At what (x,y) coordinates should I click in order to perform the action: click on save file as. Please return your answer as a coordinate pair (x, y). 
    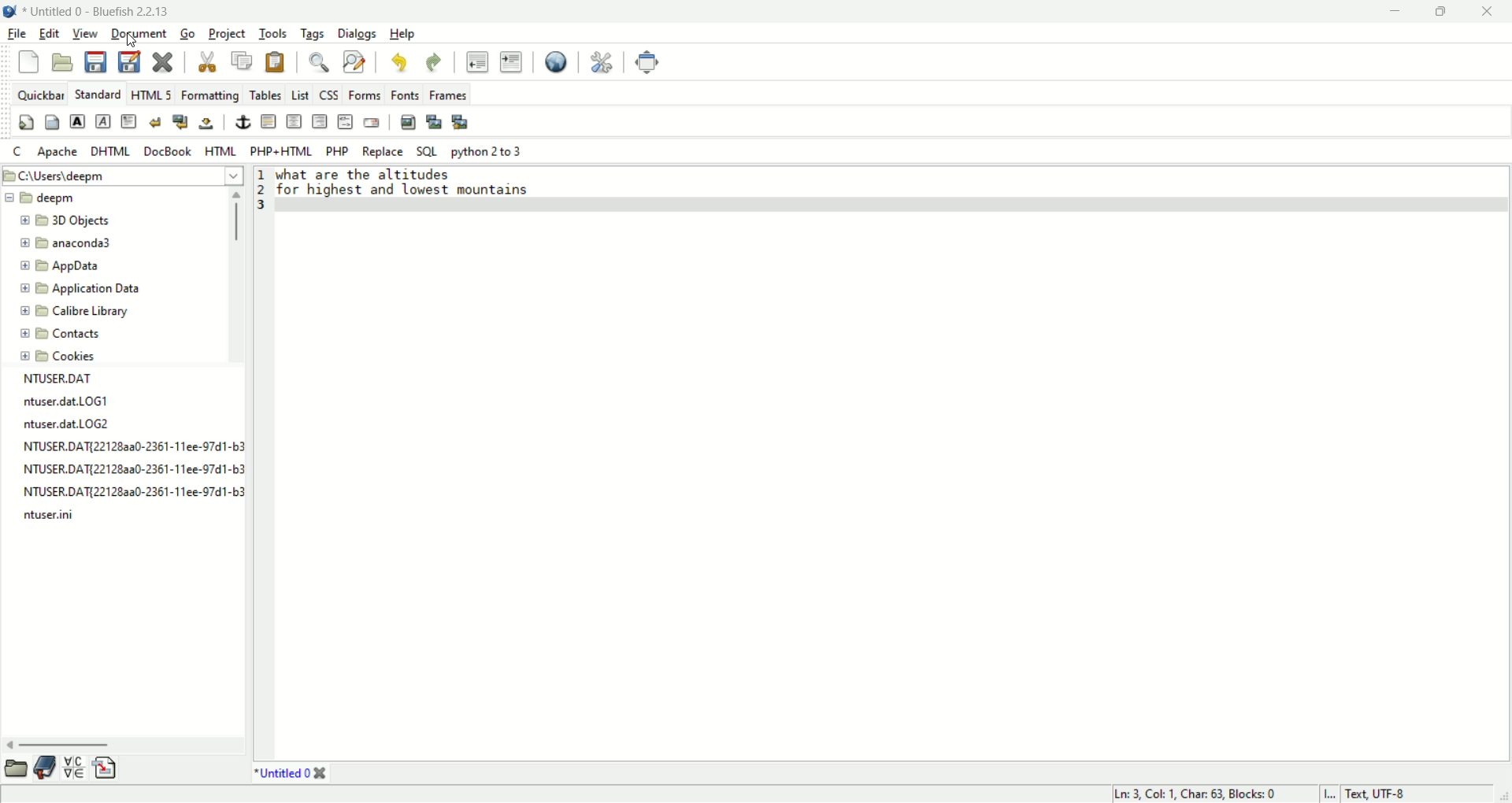
    Looking at the image, I should click on (128, 61).